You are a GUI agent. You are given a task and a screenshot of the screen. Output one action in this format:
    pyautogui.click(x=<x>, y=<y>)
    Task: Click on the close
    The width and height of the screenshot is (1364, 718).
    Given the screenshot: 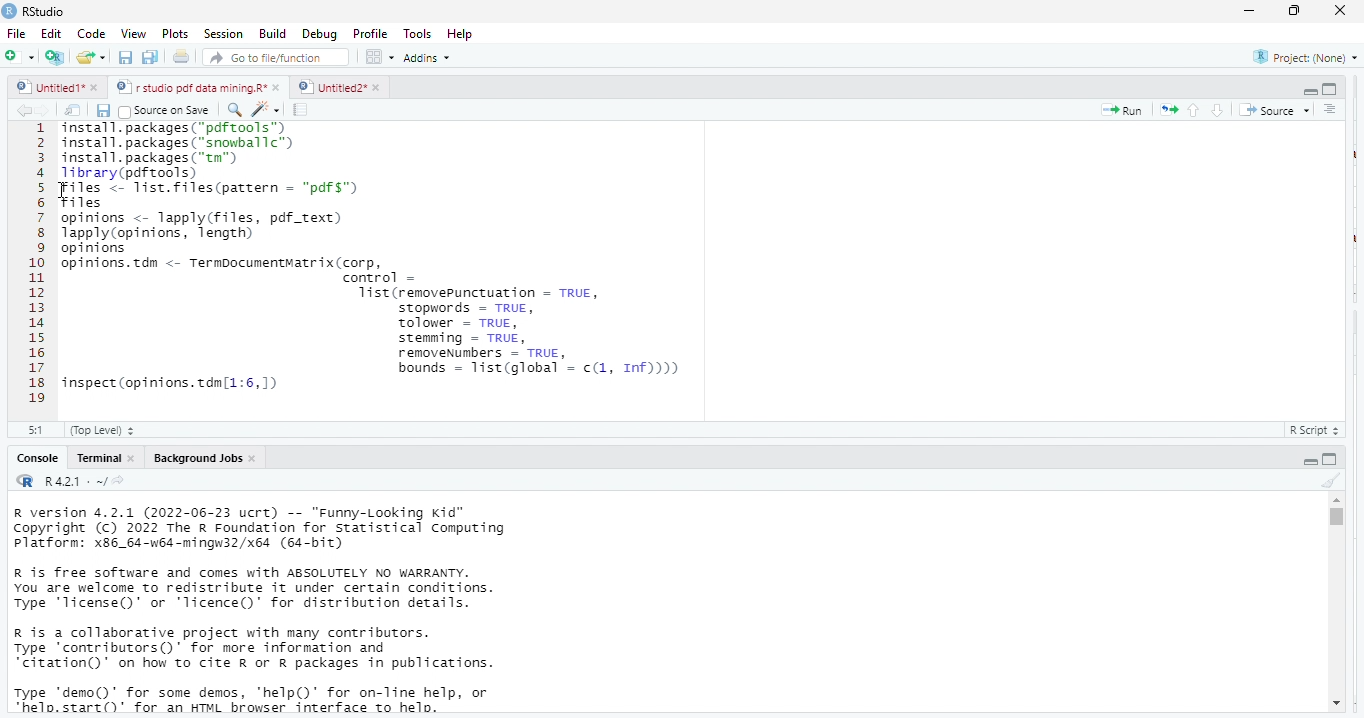 What is the action you would take?
    pyautogui.click(x=376, y=87)
    